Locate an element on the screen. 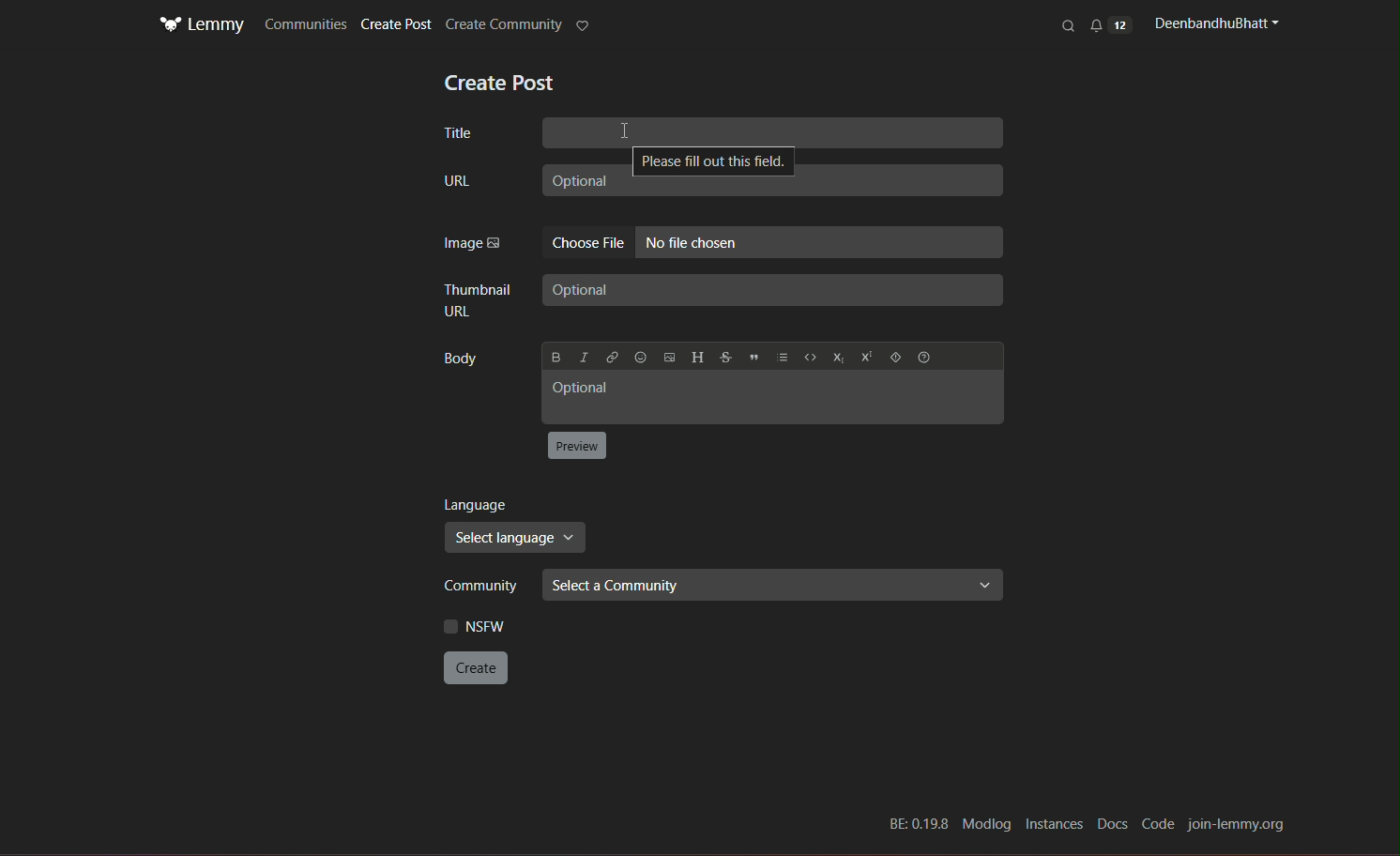  highlight is located at coordinates (585, 27).